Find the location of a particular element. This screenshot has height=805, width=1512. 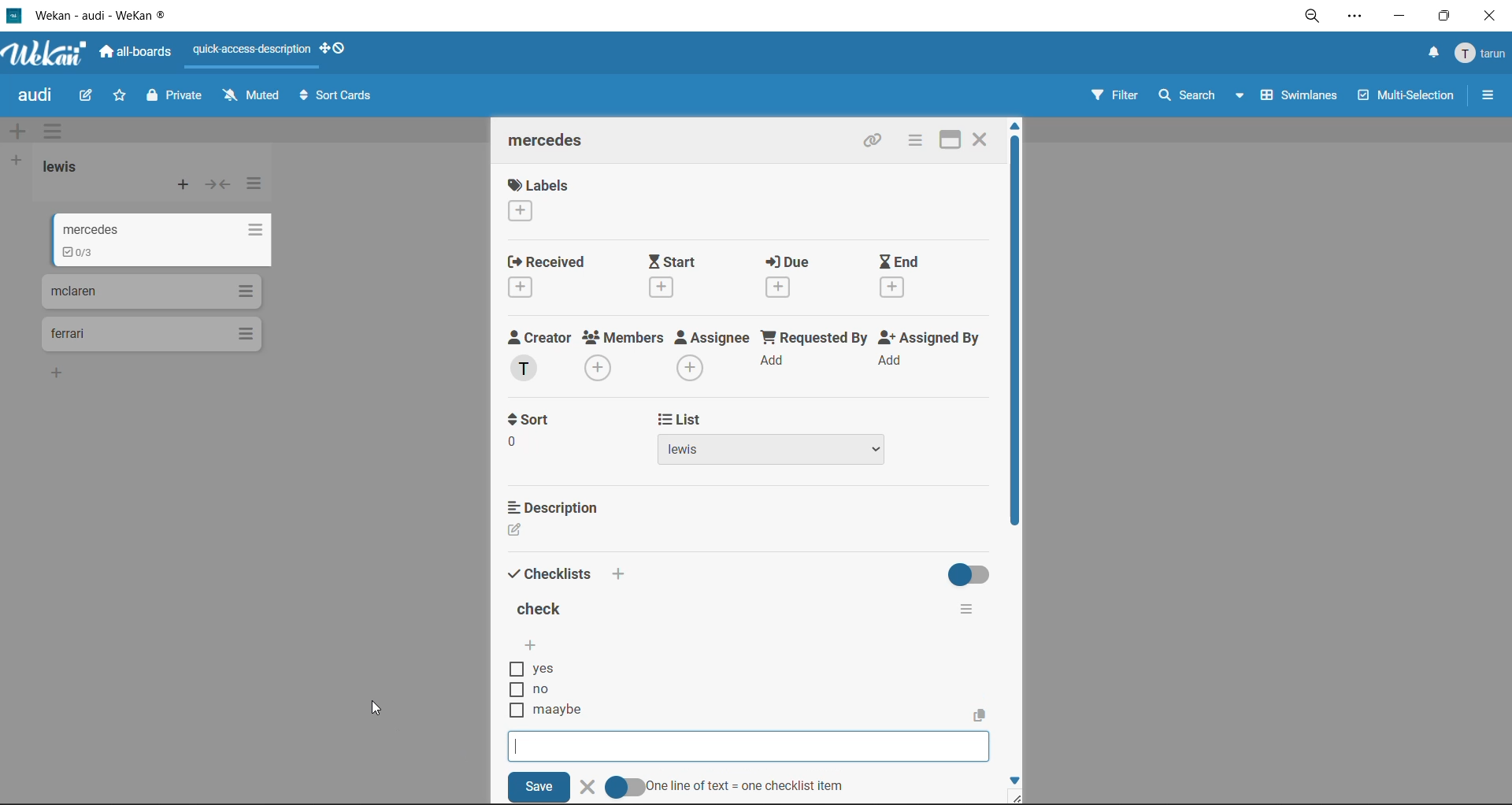

checklist item input box is located at coordinates (746, 747).